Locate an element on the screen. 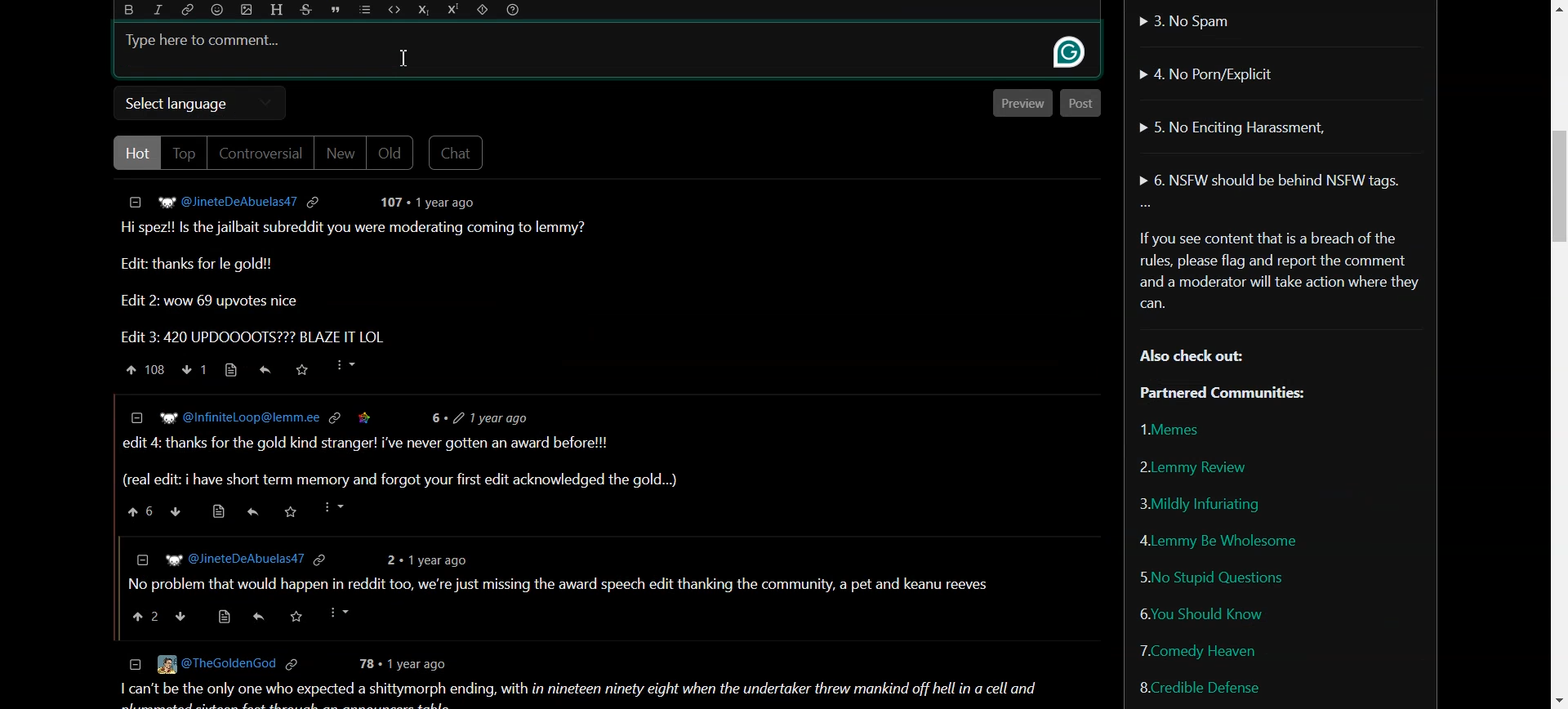 The width and height of the screenshot is (1568, 709). down vote is located at coordinates (176, 511).